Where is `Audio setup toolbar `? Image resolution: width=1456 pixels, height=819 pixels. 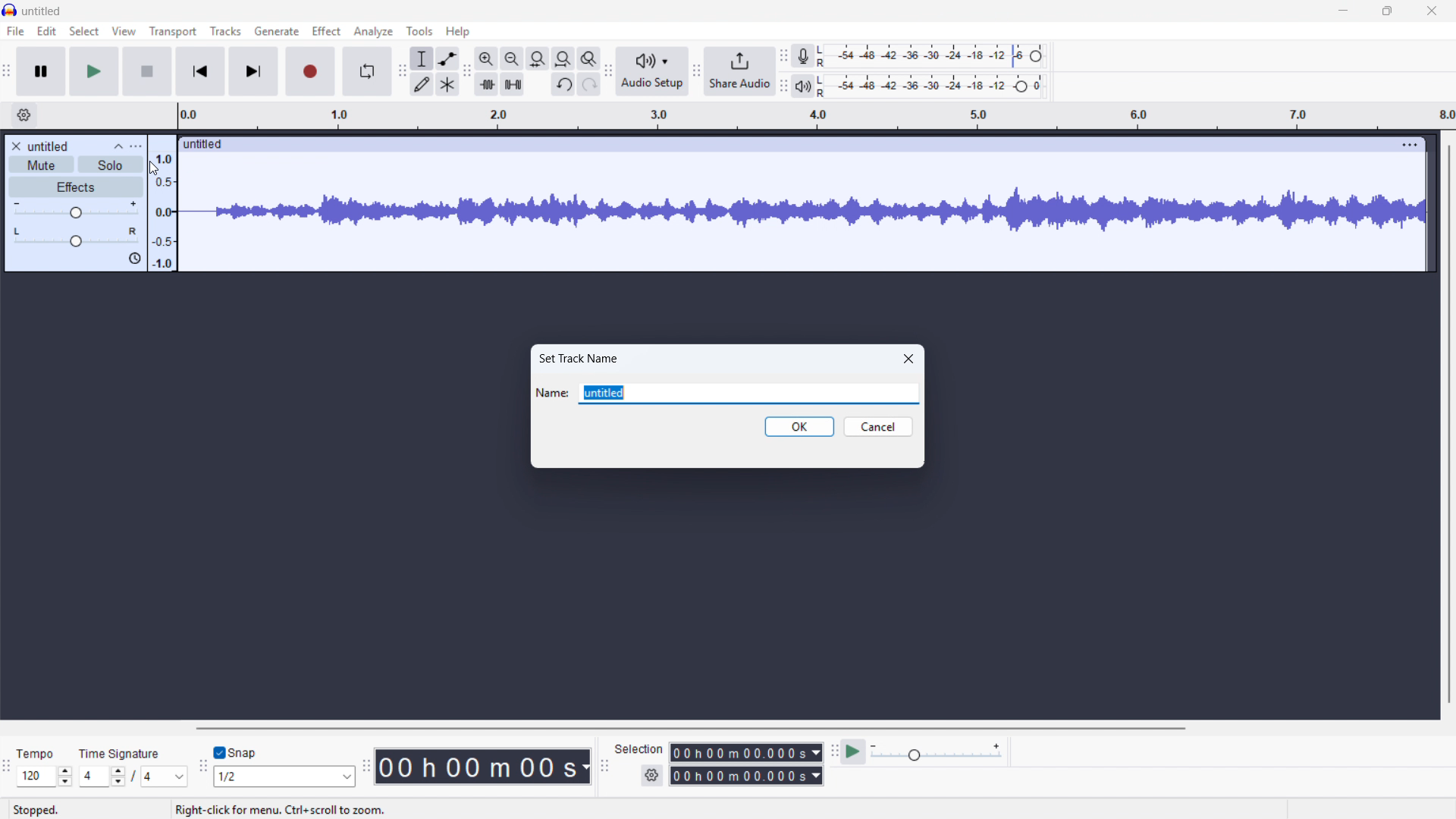
Audio setup toolbar  is located at coordinates (607, 72).